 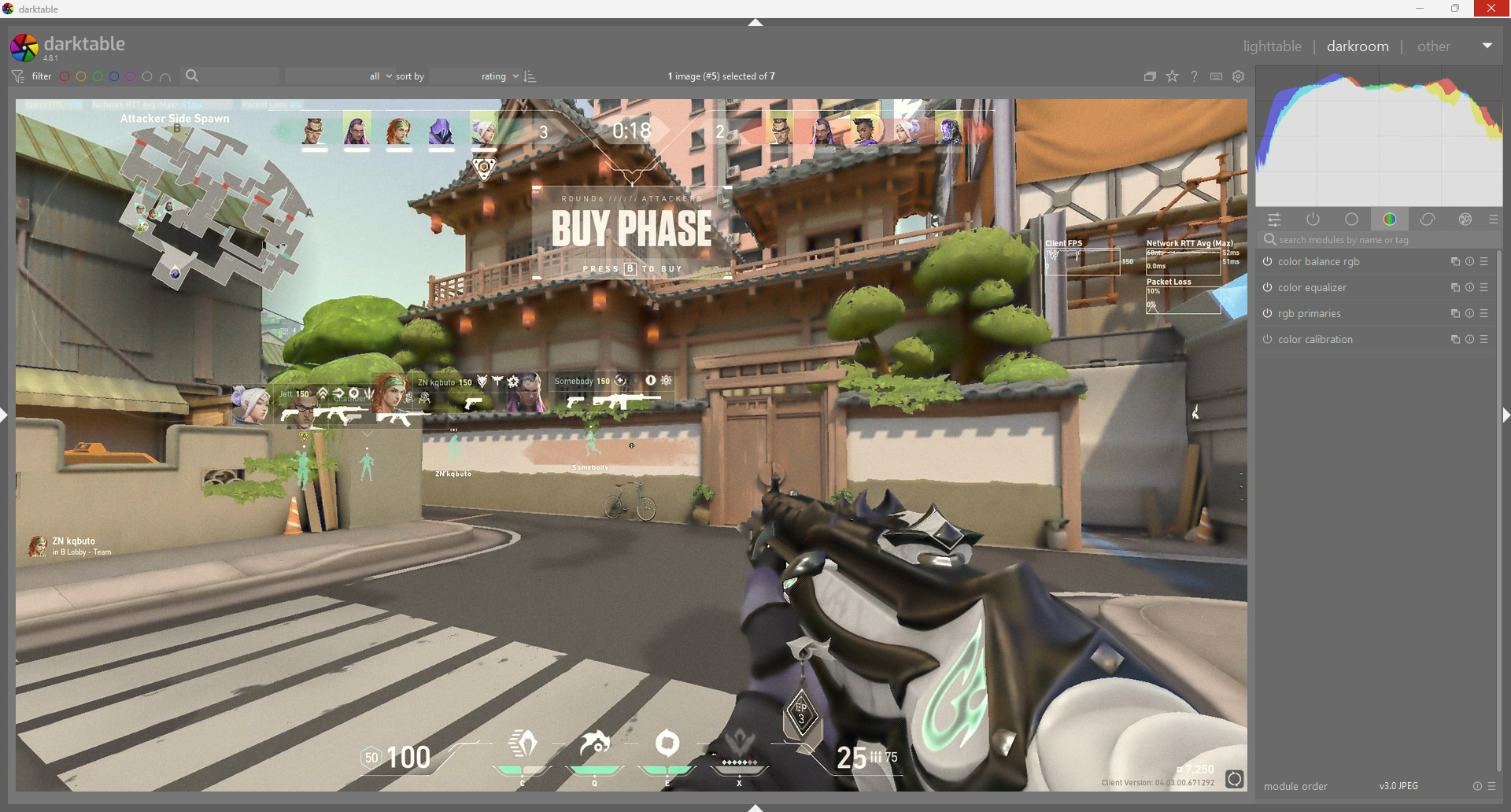 I want to click on darkroom, so click(x=1357, y=46).